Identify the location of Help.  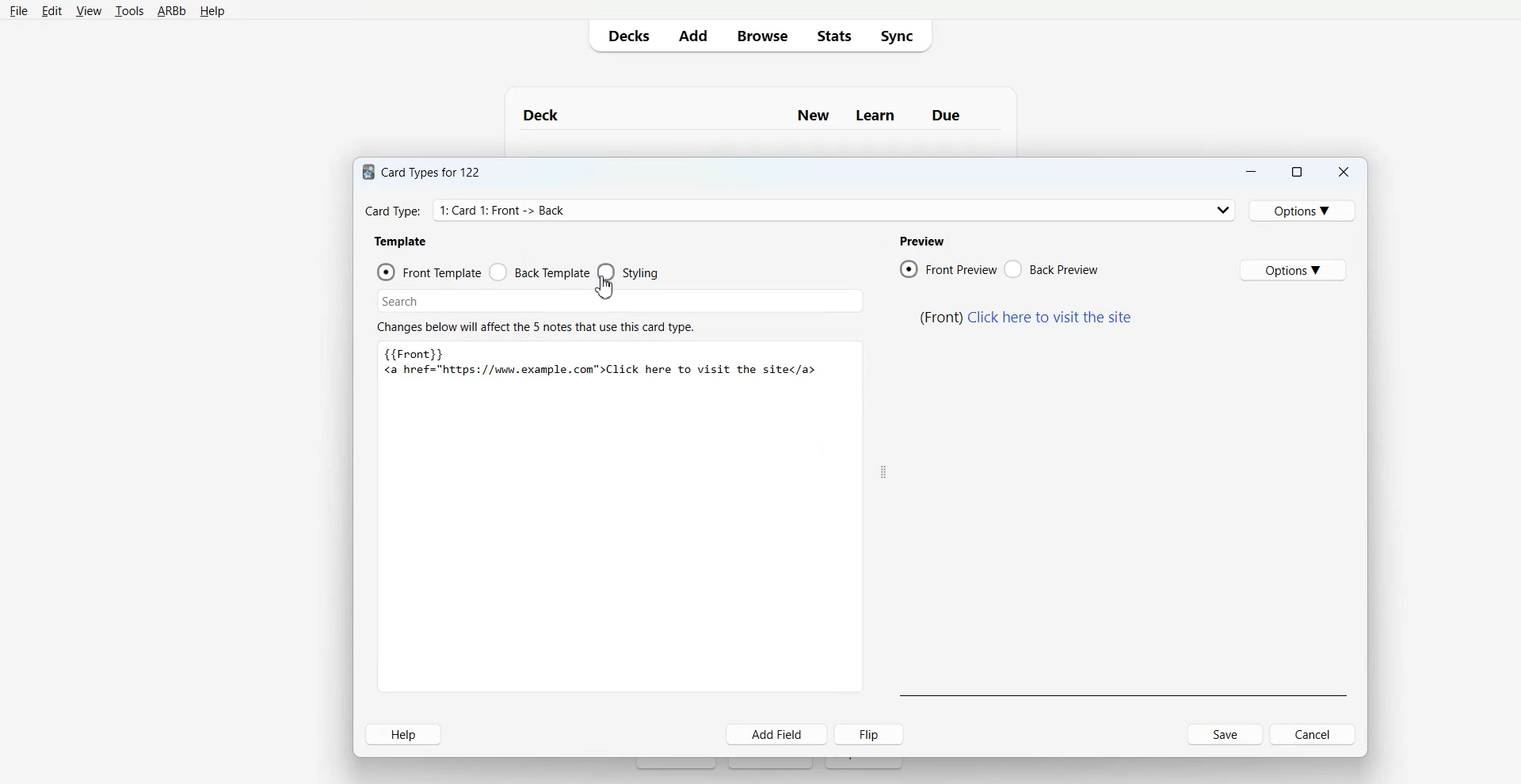
(212, 12).